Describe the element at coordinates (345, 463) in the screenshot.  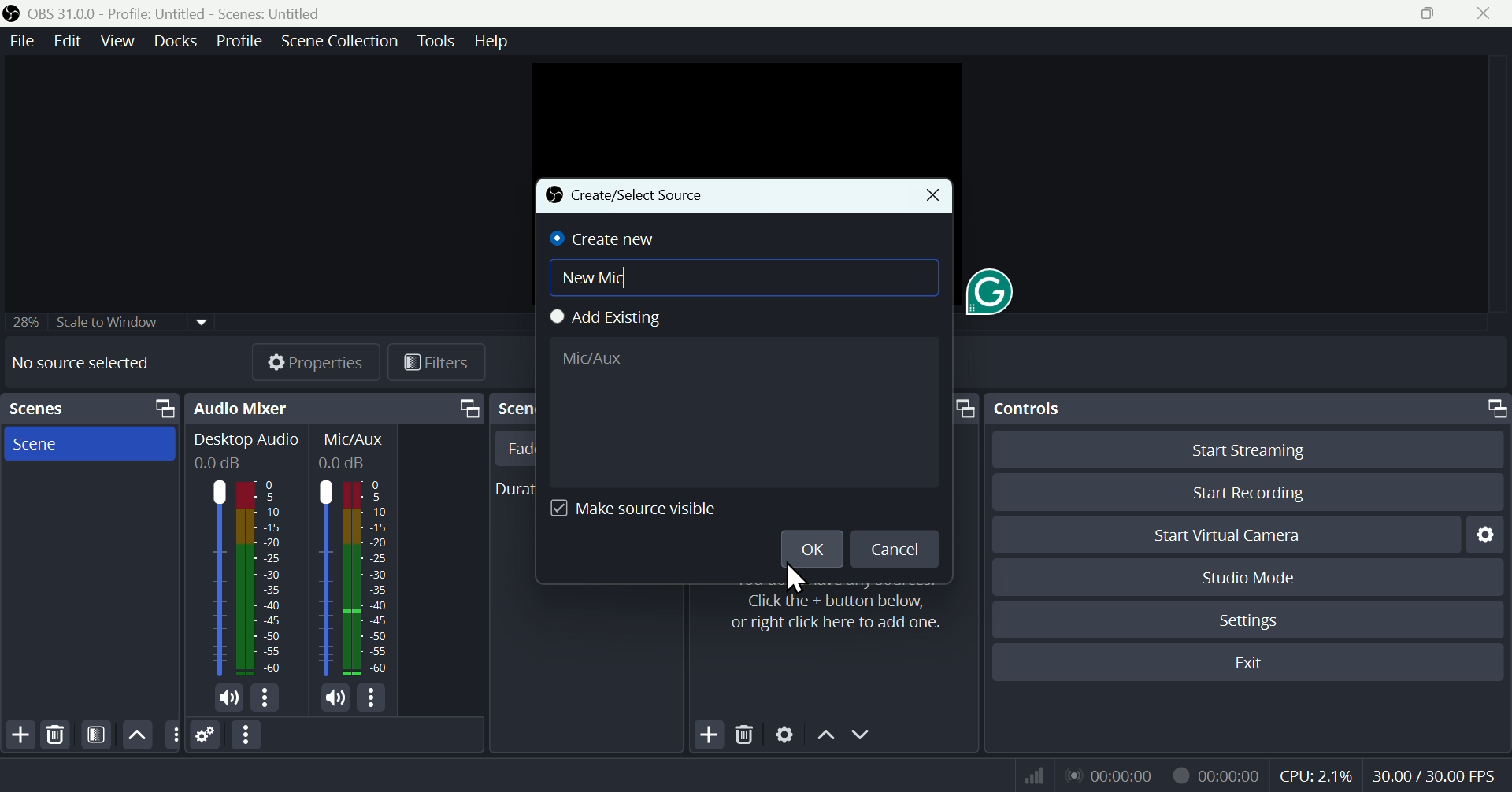
I see `0.0dB` at that location.